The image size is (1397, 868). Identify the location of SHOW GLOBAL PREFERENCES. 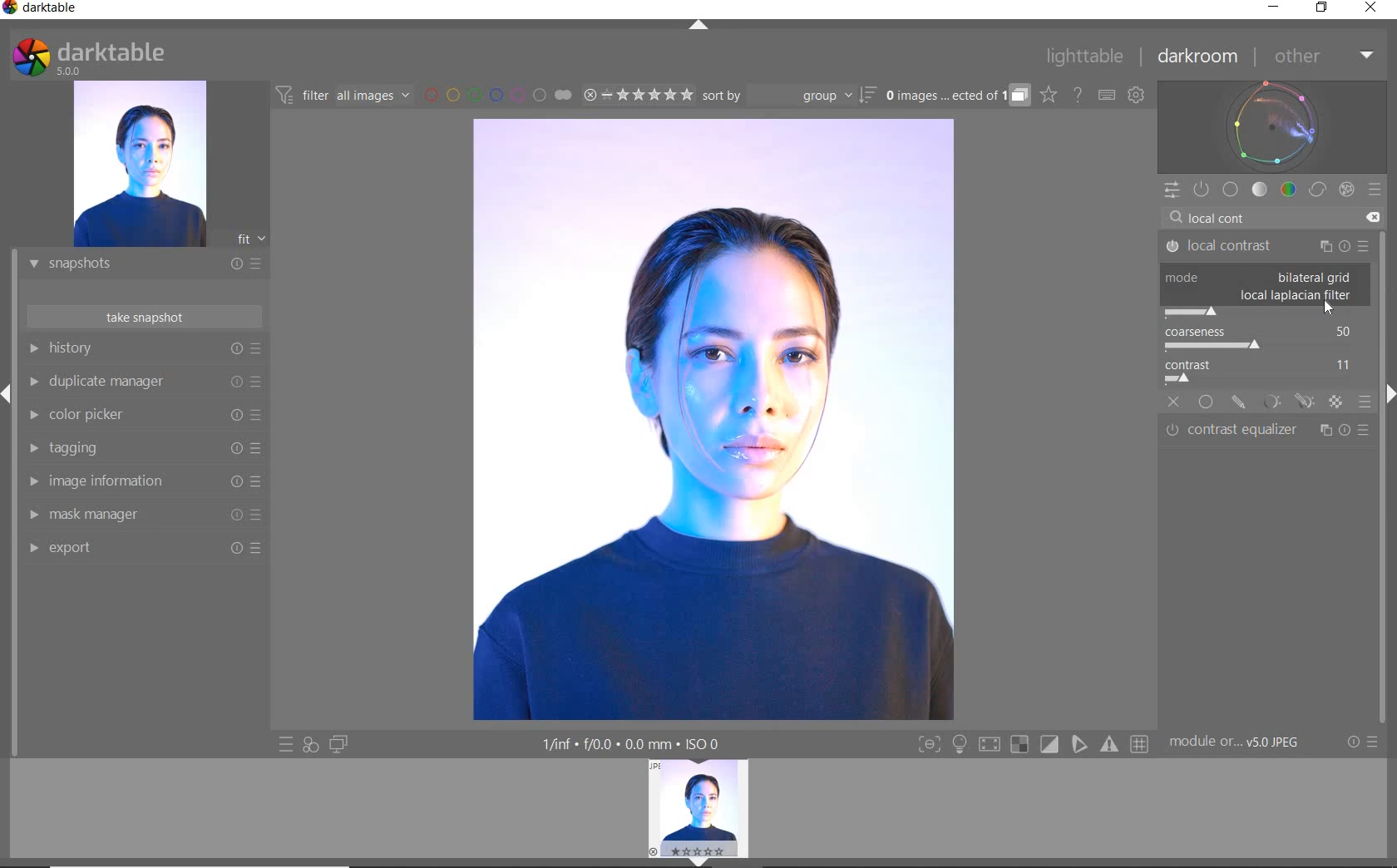
(1136, 96).